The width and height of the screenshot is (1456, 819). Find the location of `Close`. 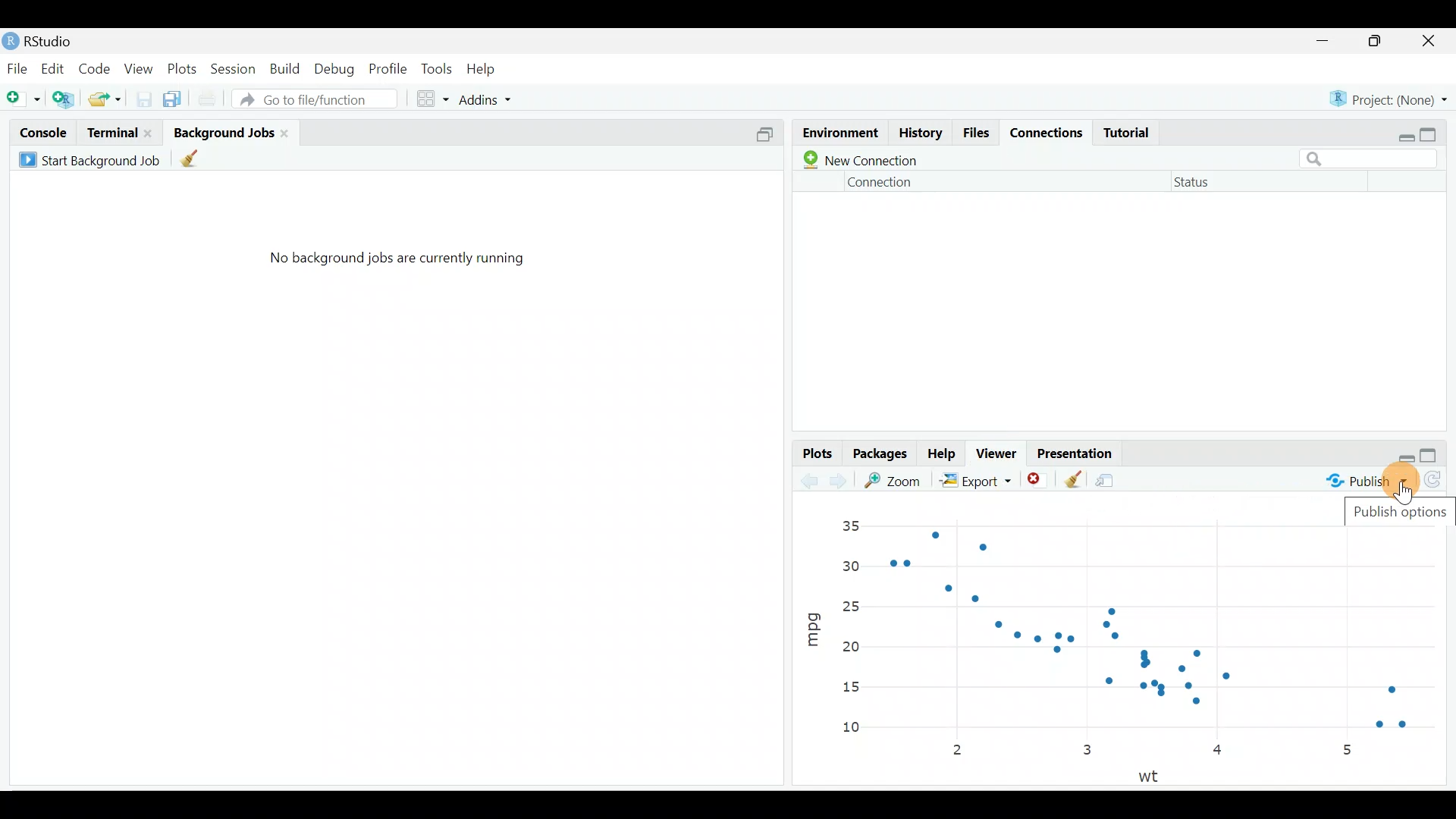

Close is located at coordinates (1430, 42).